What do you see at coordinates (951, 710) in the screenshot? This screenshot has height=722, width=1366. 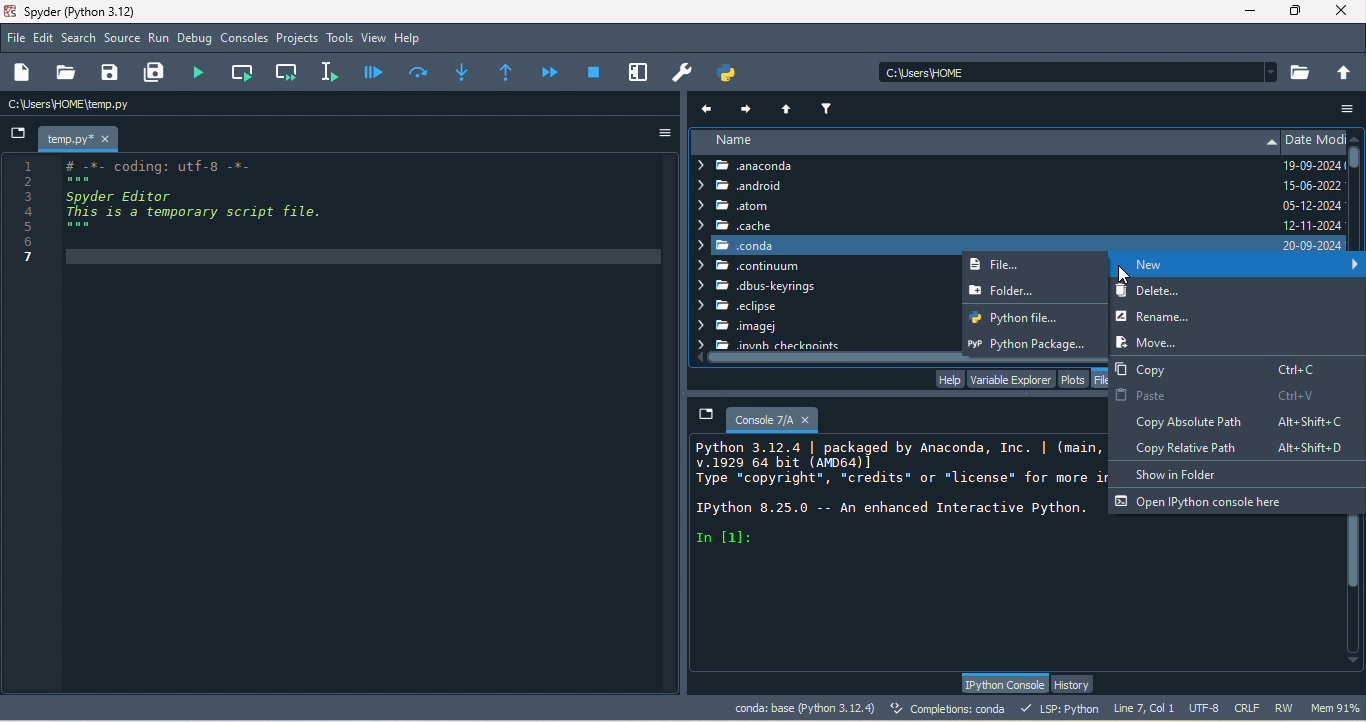 I see `completions conda` at bounding box center [951, 710].